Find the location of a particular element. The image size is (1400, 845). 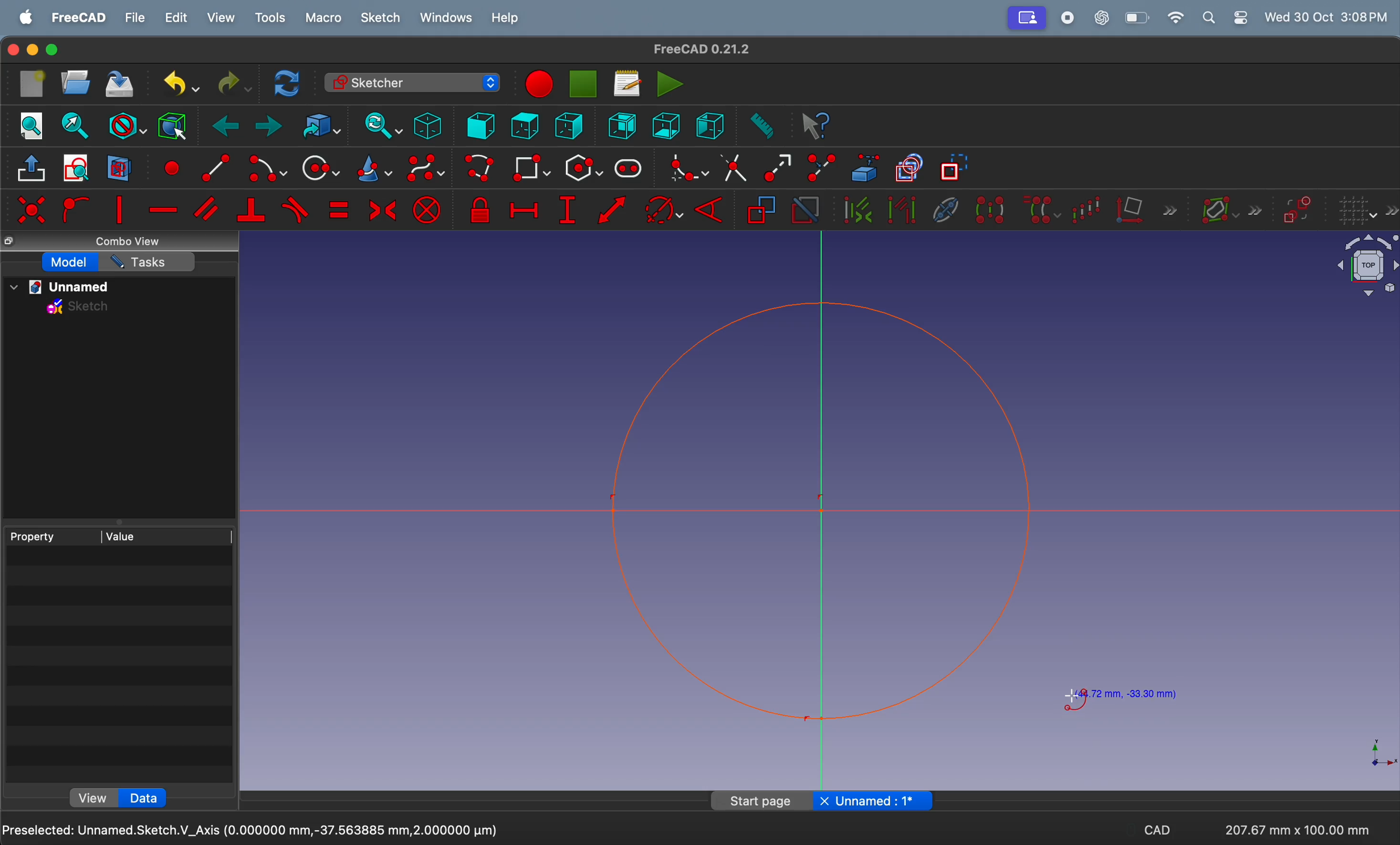

rectangular array is located at coordinates (1090, 208).